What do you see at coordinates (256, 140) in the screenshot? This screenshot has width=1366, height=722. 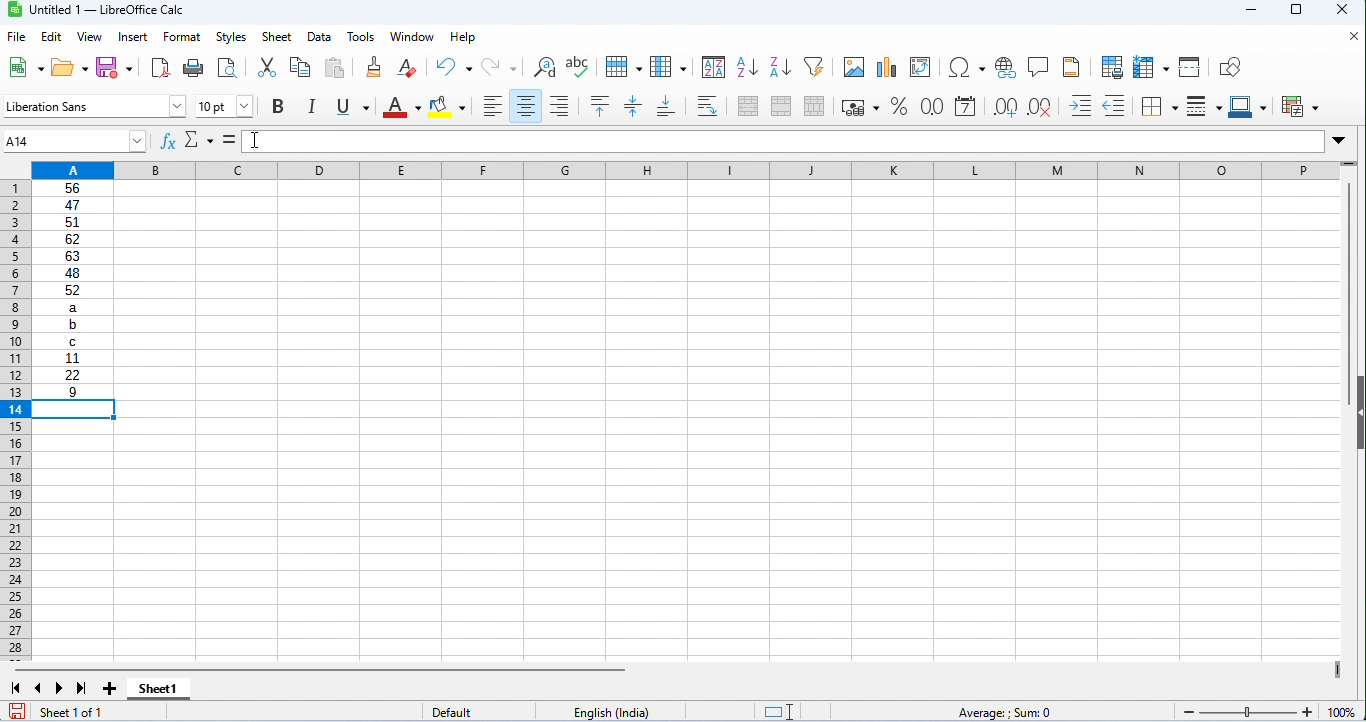 I see `Cursor` at bounding box center [256, 140].